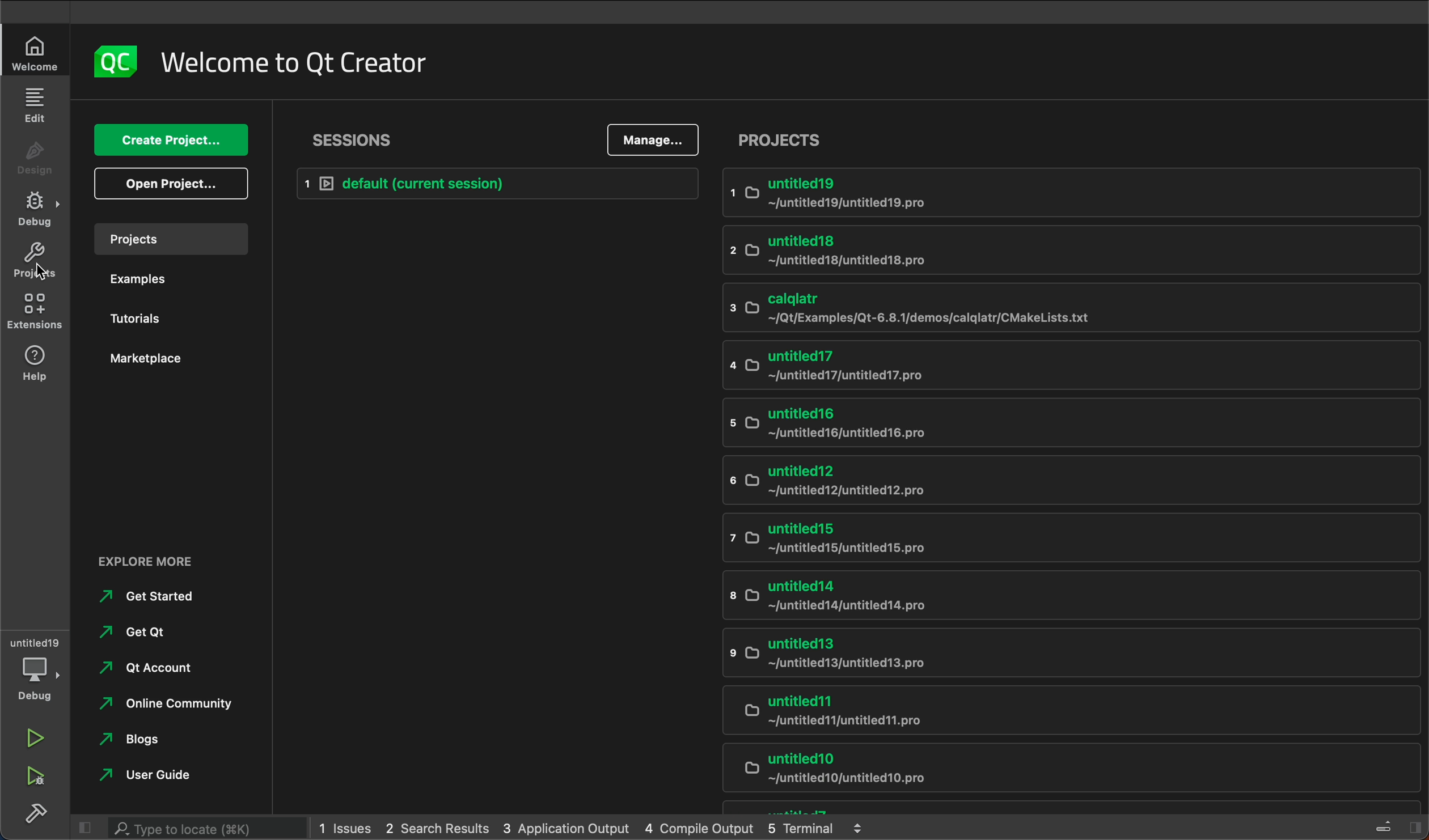 The width and height of the screenshot is (1429, 840). I want to click on untitled14, so click(1066, 595).